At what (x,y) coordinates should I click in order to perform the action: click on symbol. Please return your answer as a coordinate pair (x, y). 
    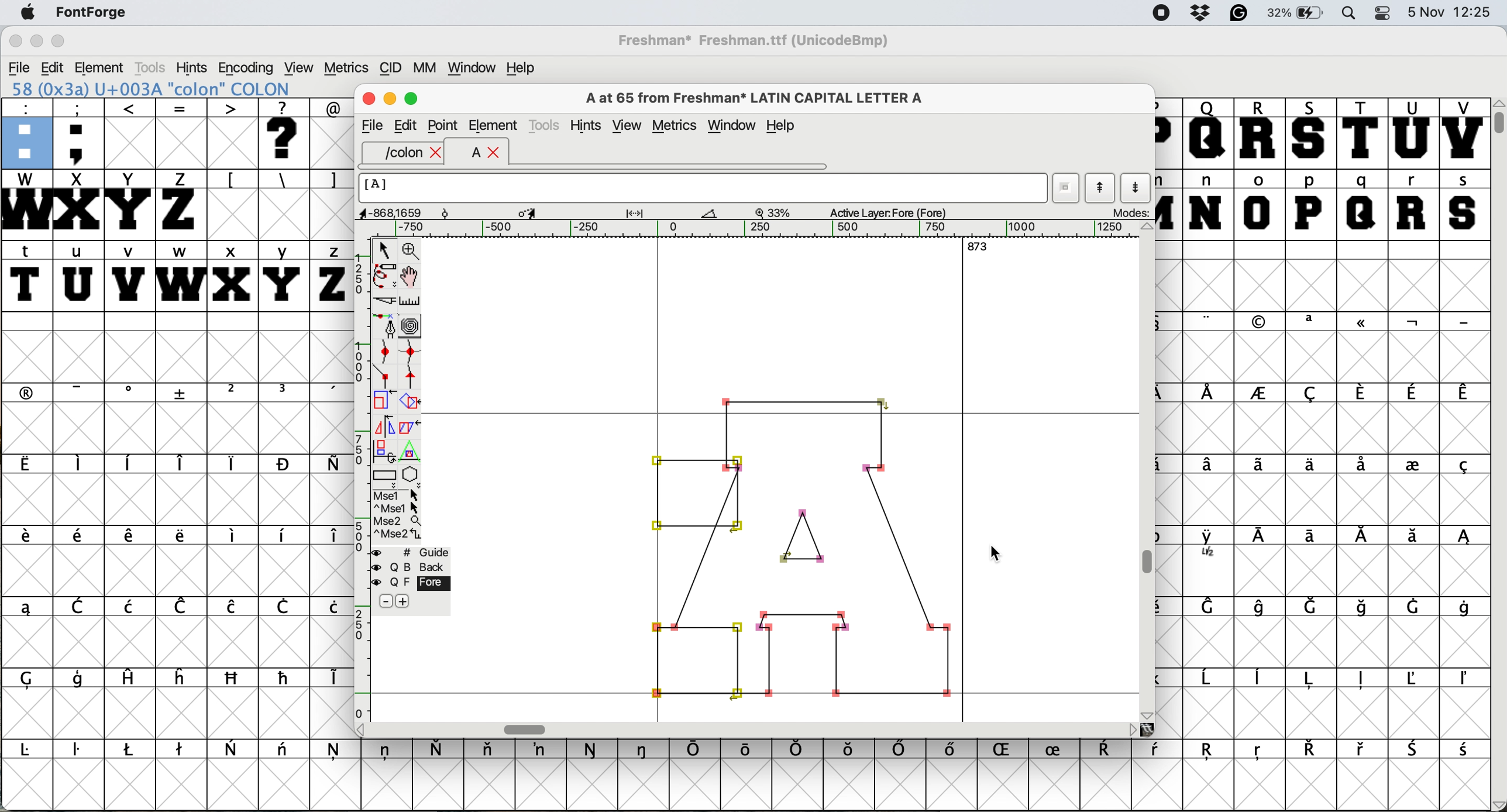
    Looking at the image, I should click on (82, 392).